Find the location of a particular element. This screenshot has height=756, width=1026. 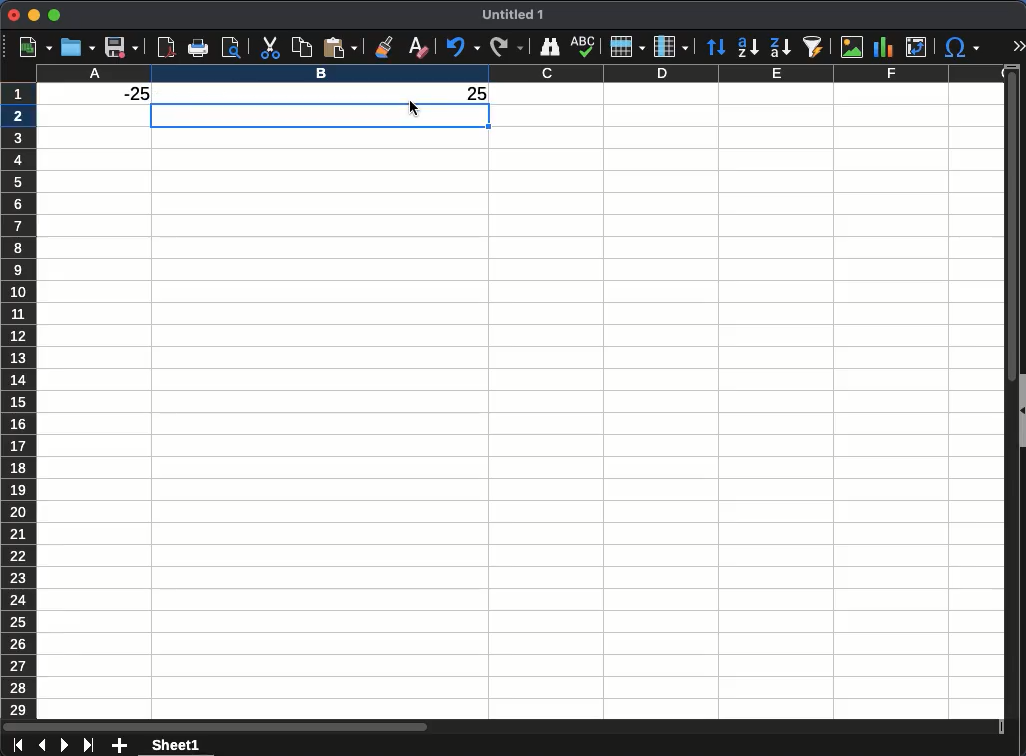

save is located at coordinates (122, 47).